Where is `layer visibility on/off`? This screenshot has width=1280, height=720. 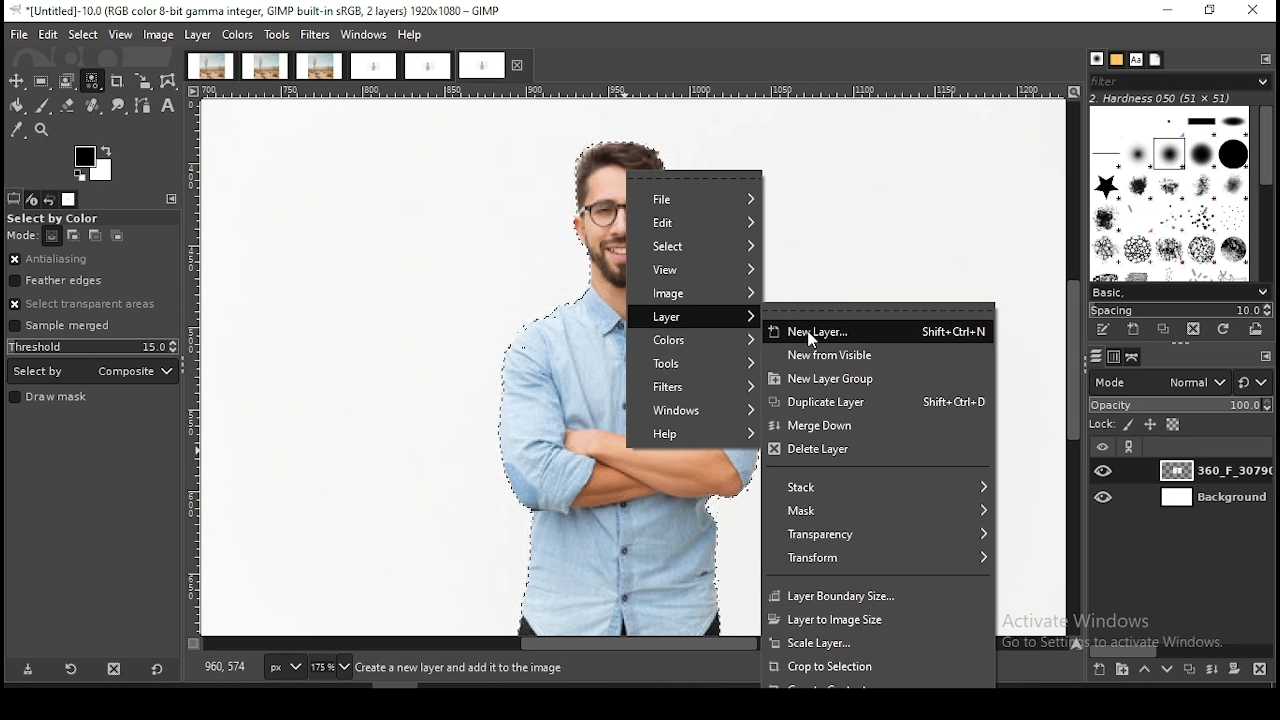 layer visibility on/off is located at coordinates (1105, 498).